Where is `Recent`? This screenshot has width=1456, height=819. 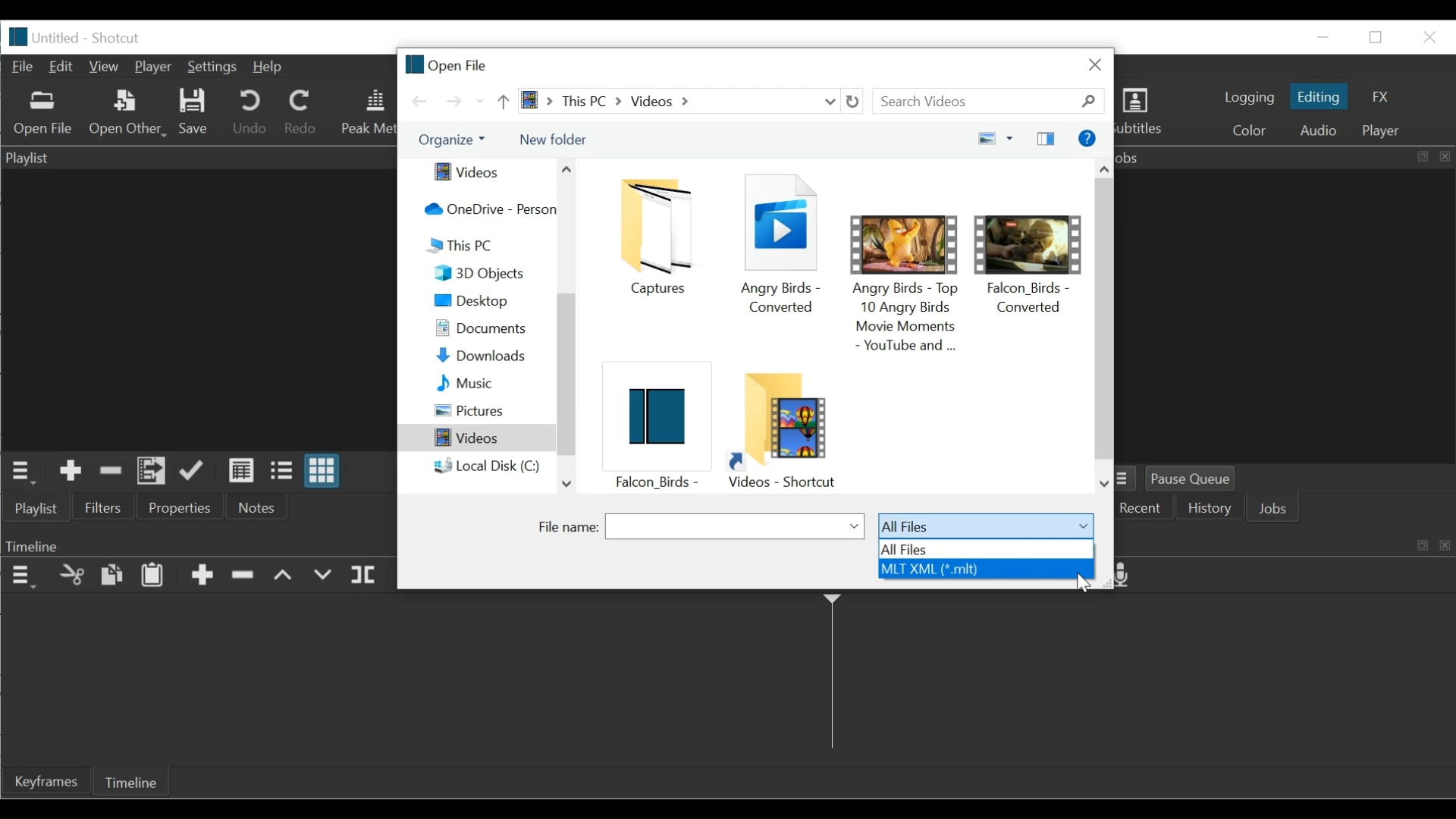
Recent is located at coordinates (1143, 509).